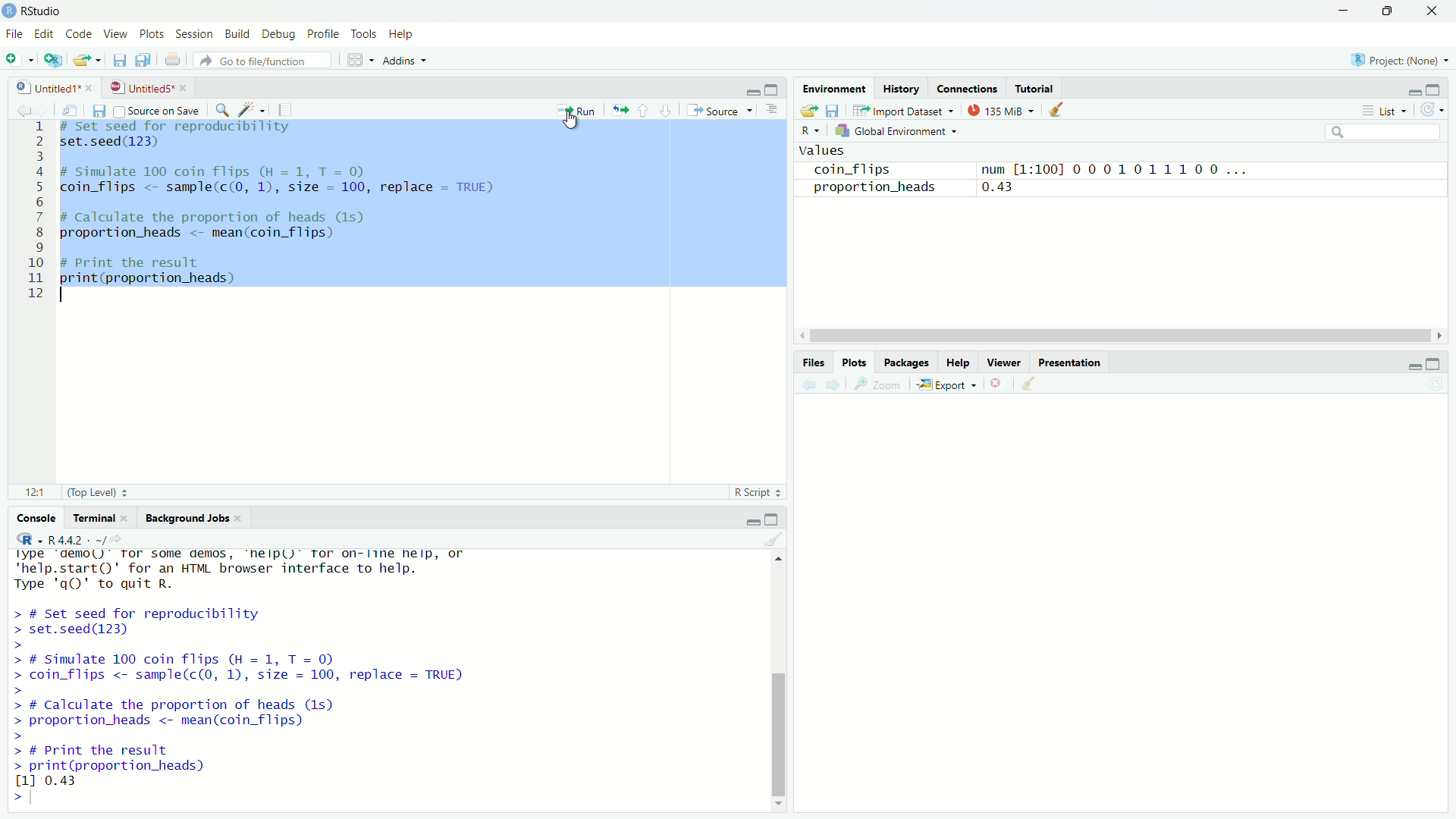 Image resolution: width=1456 pixels, height=819 pixels. What do you see at coordinates (667, 111) in the screenshot?
I see `go to next section/chunk` at bounding box center [667, 111].